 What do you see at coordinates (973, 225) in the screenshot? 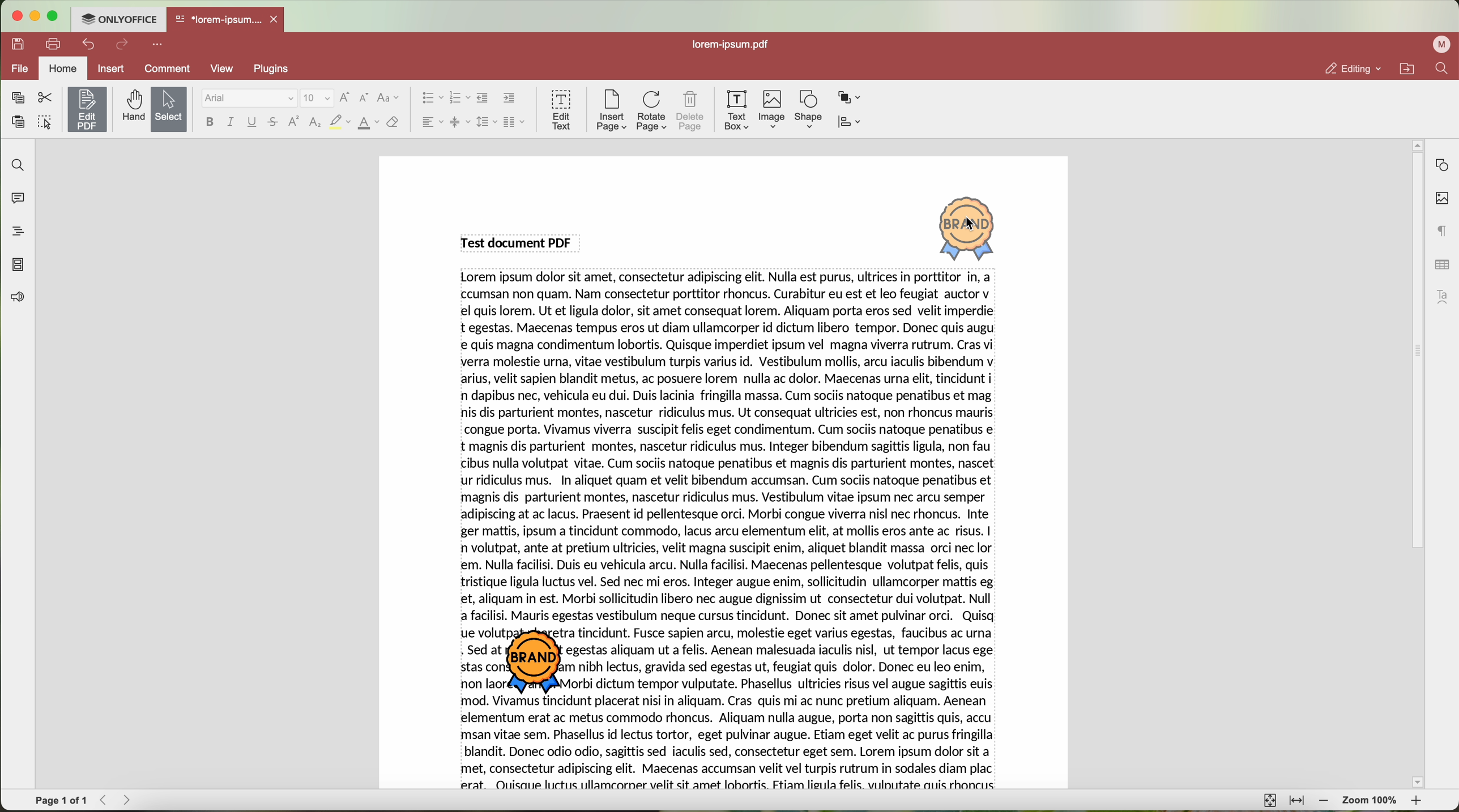
I see `cursor` at bounding box center [973, 225].